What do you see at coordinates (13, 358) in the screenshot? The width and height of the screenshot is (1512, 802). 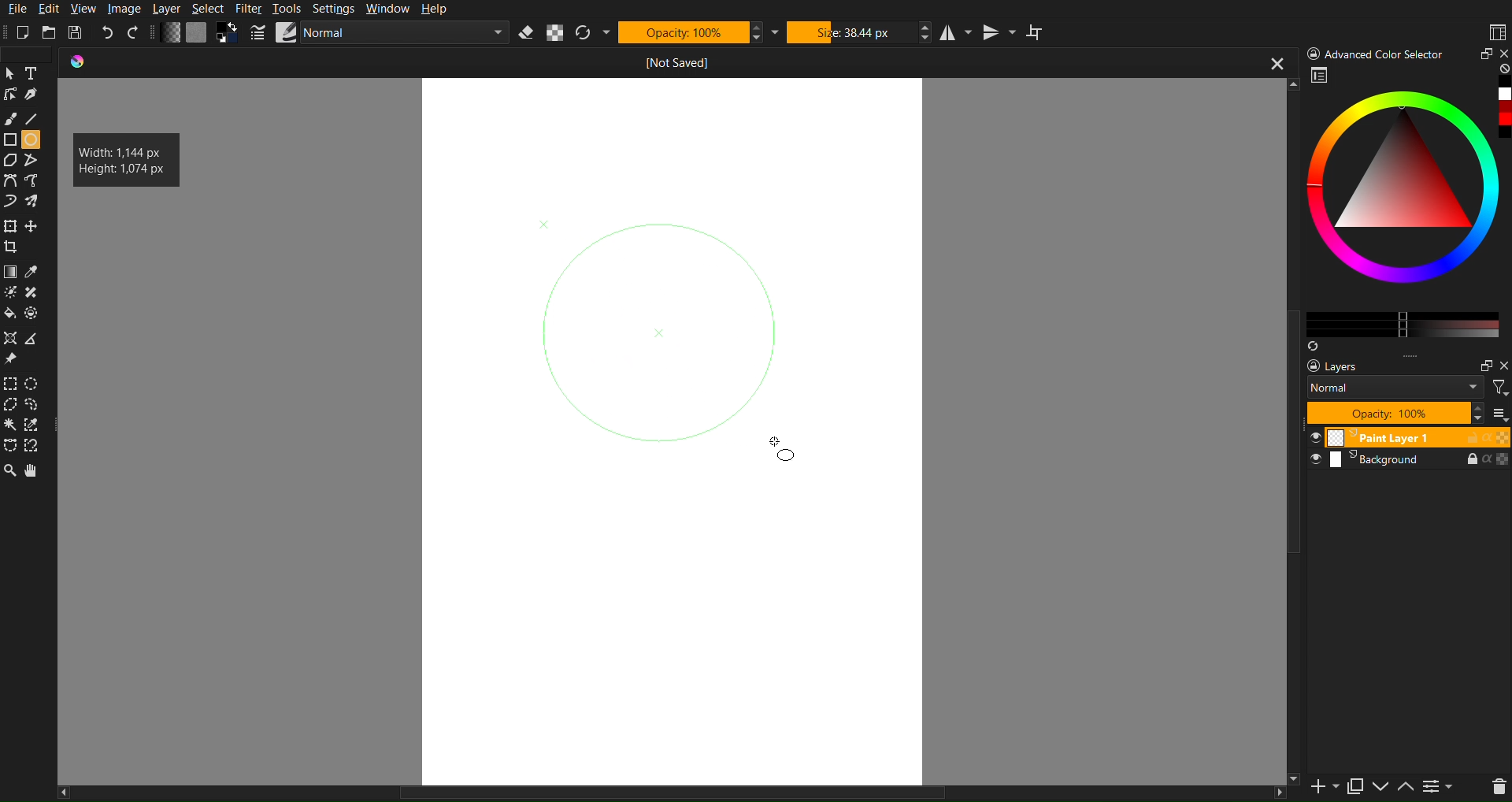 I see `Pin` at bounding box center [13, 358].